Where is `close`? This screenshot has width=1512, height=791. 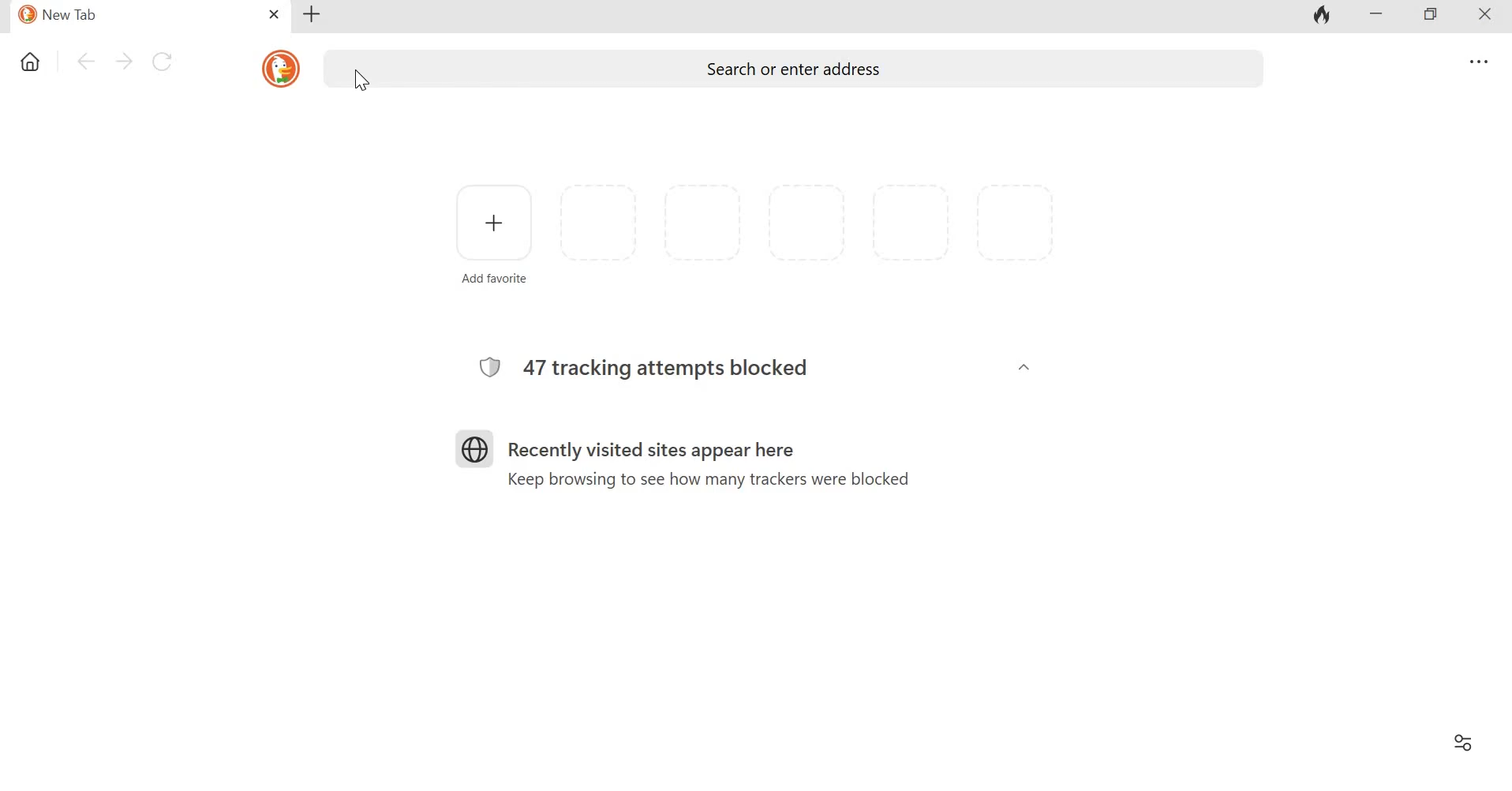
close is located at coordinates (272, 13).